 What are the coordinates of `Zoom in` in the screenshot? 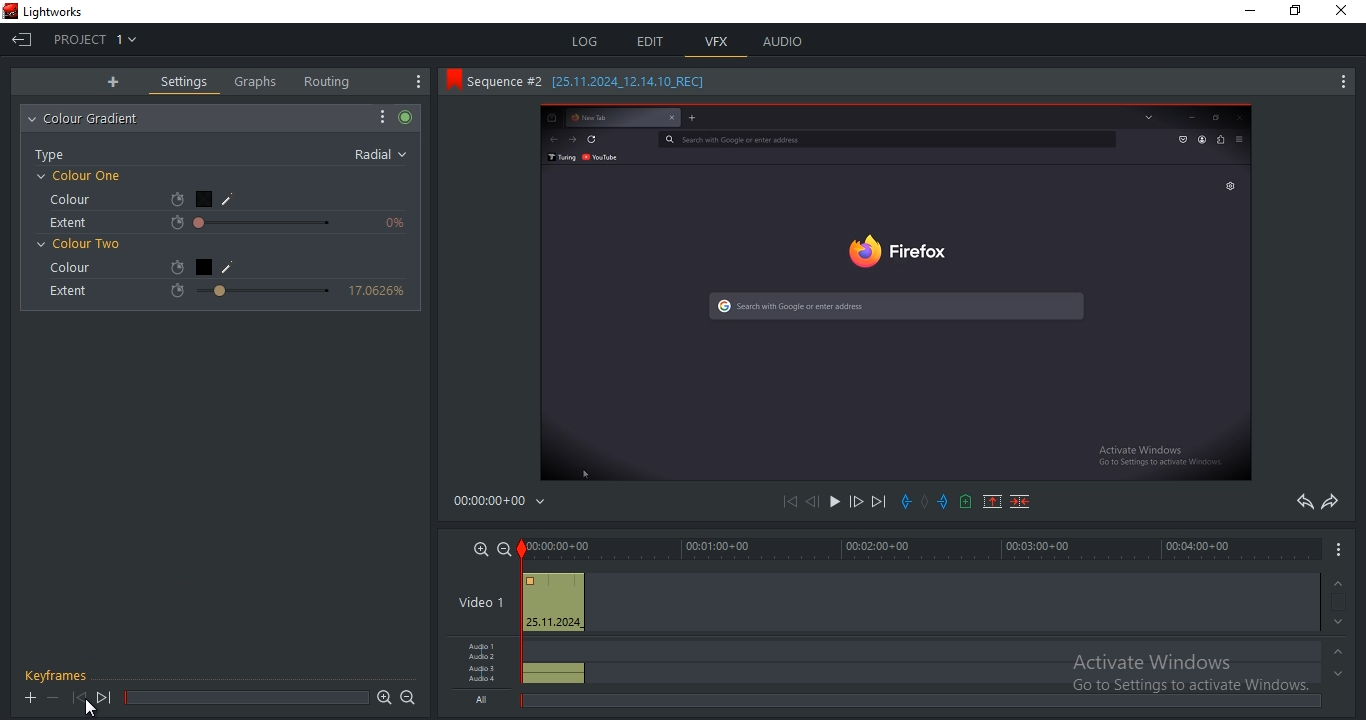 It's located at (478, 549).